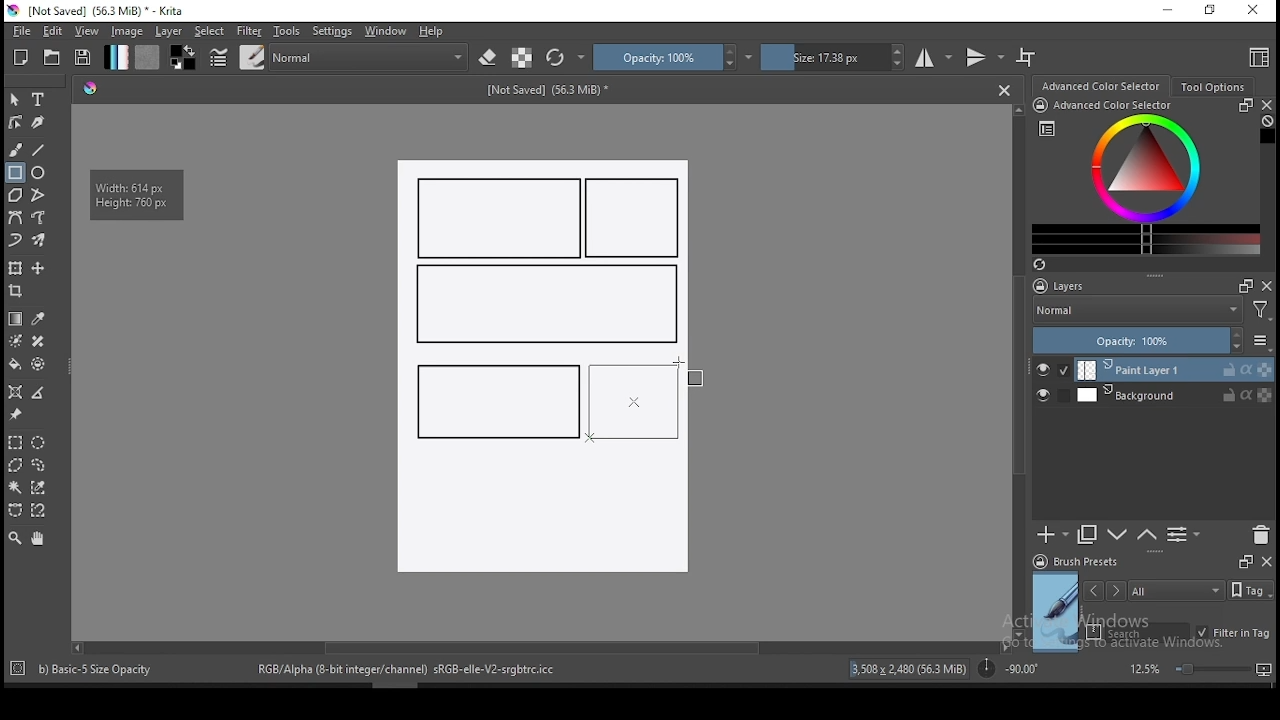  I want to click on blending mode, so click(370, 57).